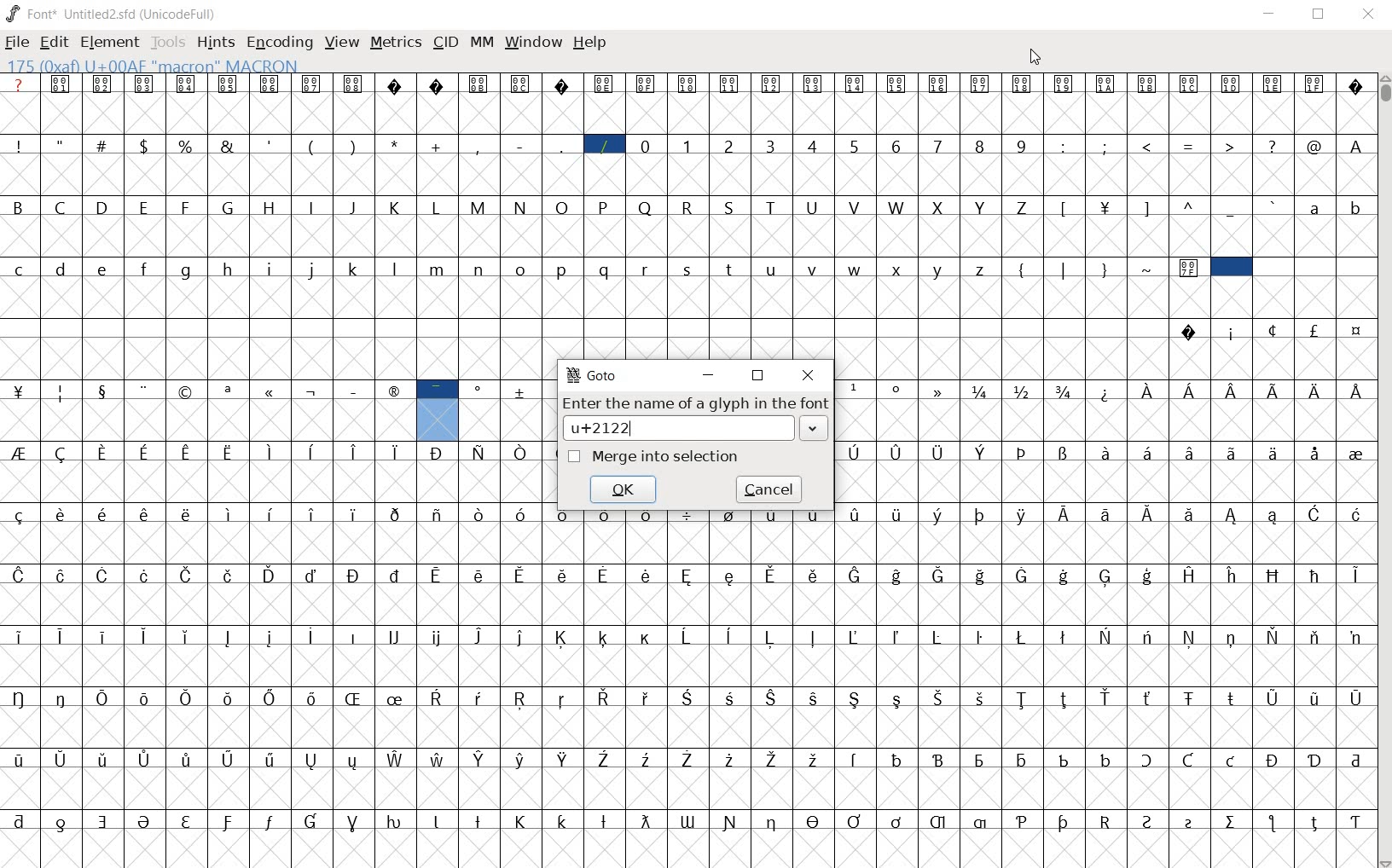  Describe the element at coordinates (150, 66) in the screenshot. I see `175 (0xaf) U+00AF "macron" MACRON` at that location.